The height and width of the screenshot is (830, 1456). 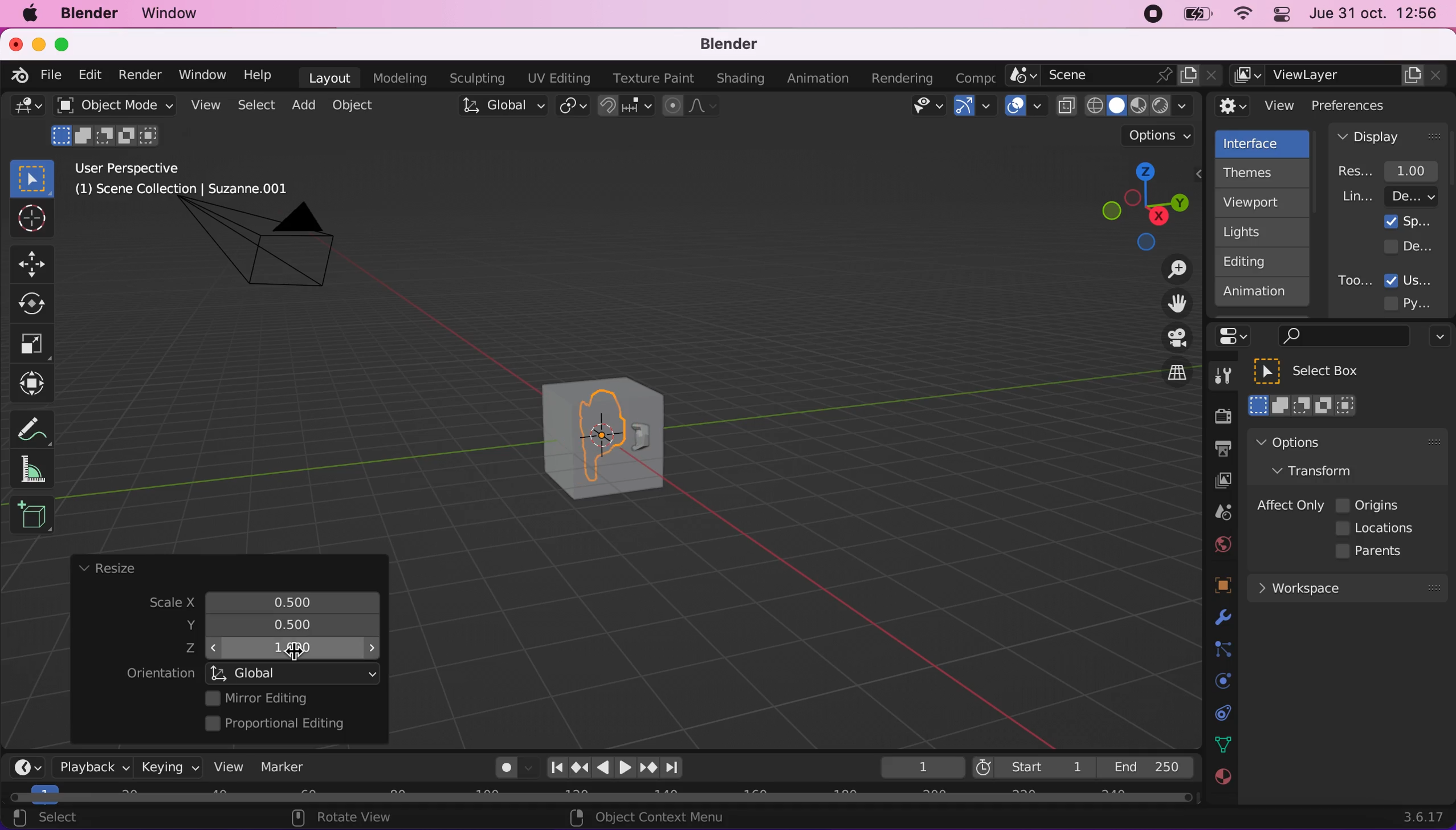 What do you see at coordinates (190, 180) in the screenshot?
I see `user perspective (1) scene collection | suzzane.001` at bounding box center [190, 180].